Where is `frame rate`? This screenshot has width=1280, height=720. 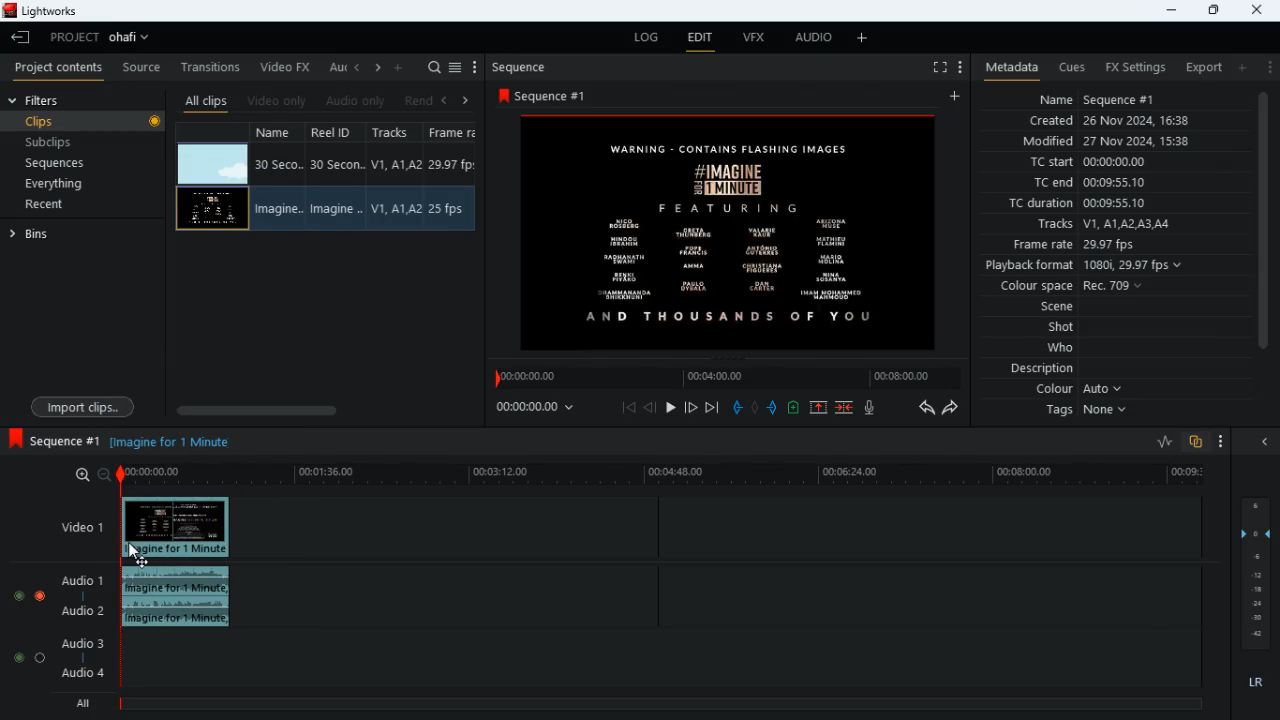 frame rate is located at coordinates (1074, 246).